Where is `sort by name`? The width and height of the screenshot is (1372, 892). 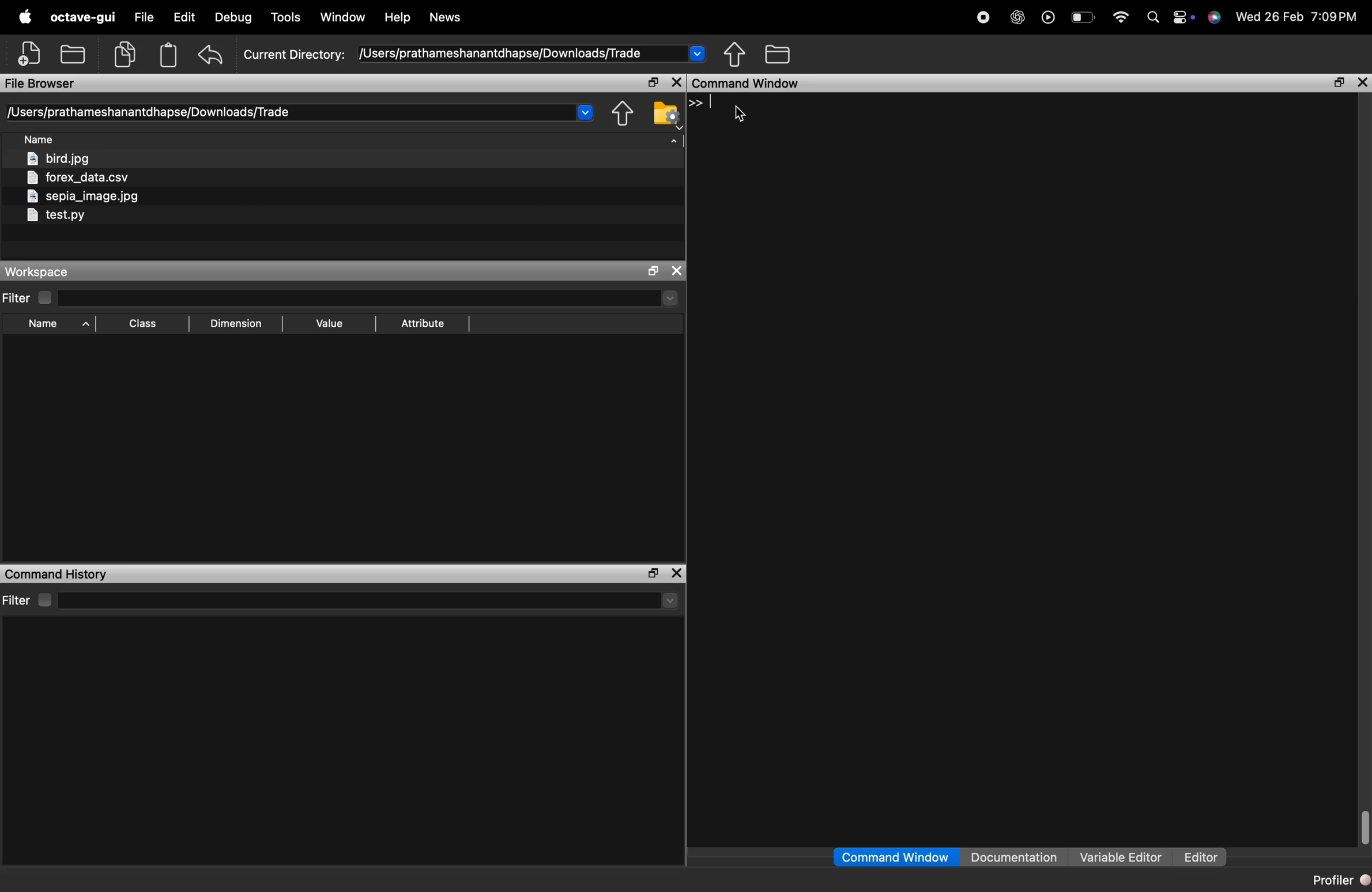
sort by name is located at coordinates (43, 140).